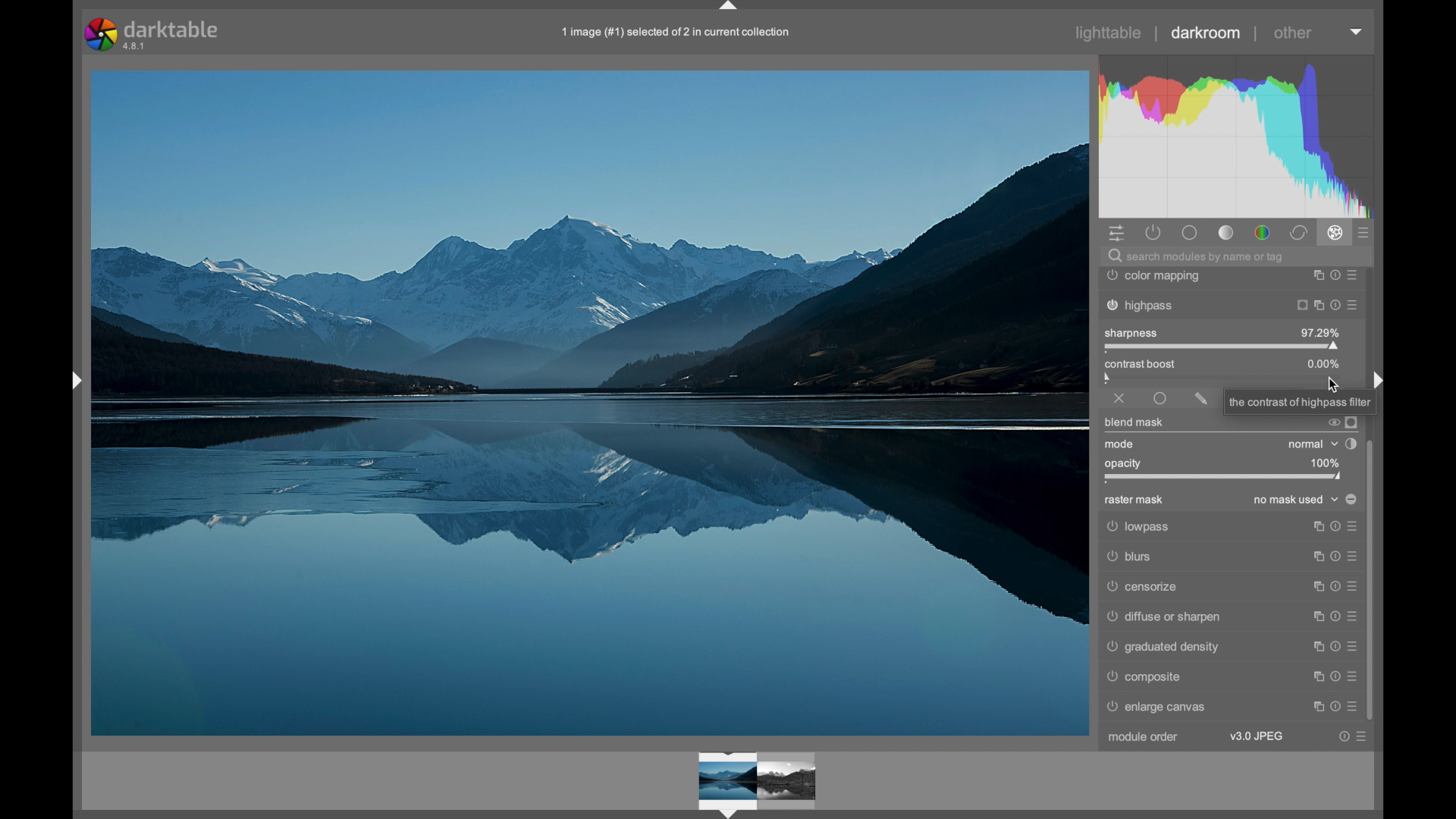  What do you see at coordinates (1131, 332) in the screenshot?
I see `sharpness` at bounding box center [1131, 332].